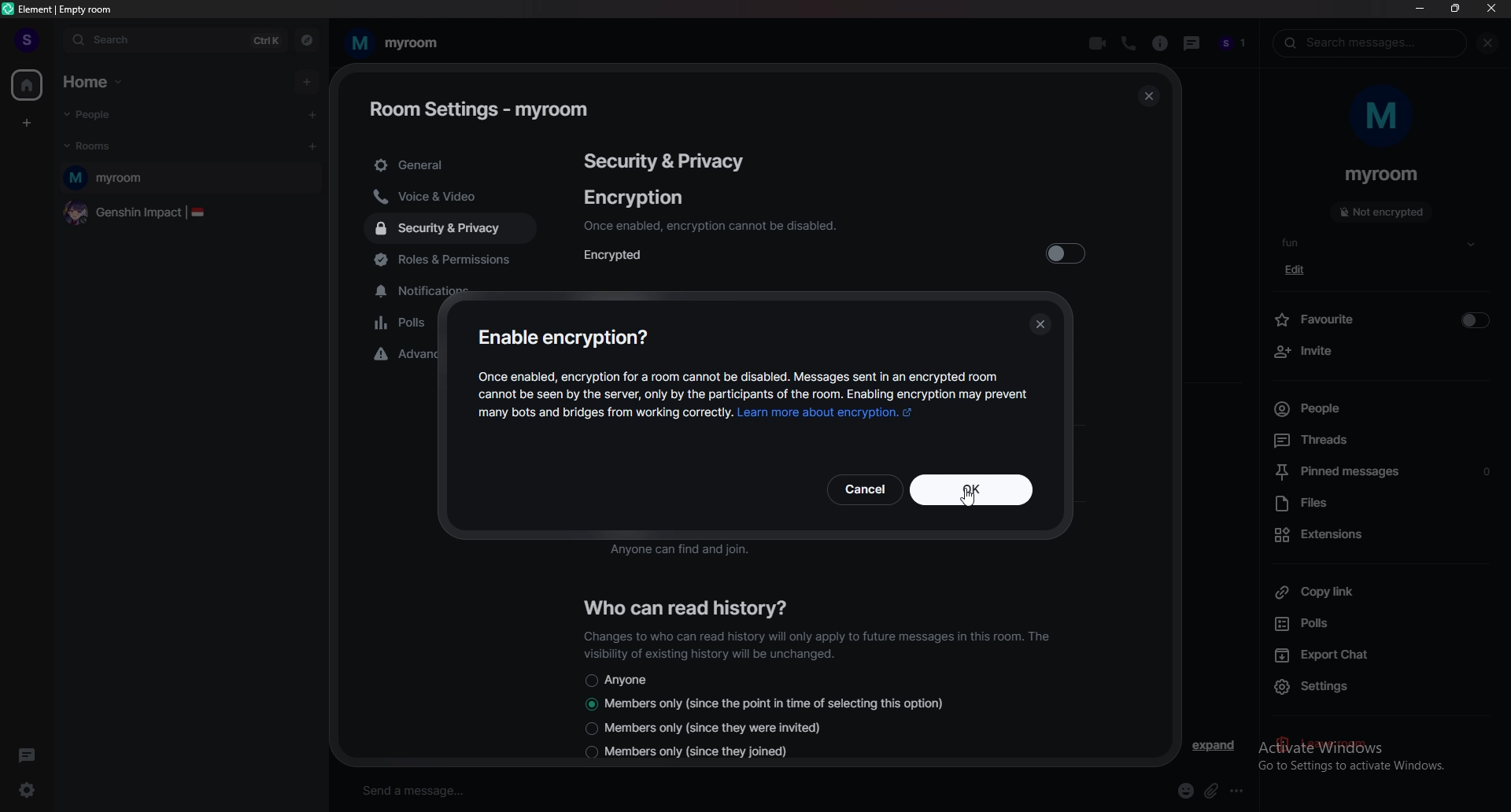 This screenshot has width=1511, height=812. I want to click on home, so click(28, 85).